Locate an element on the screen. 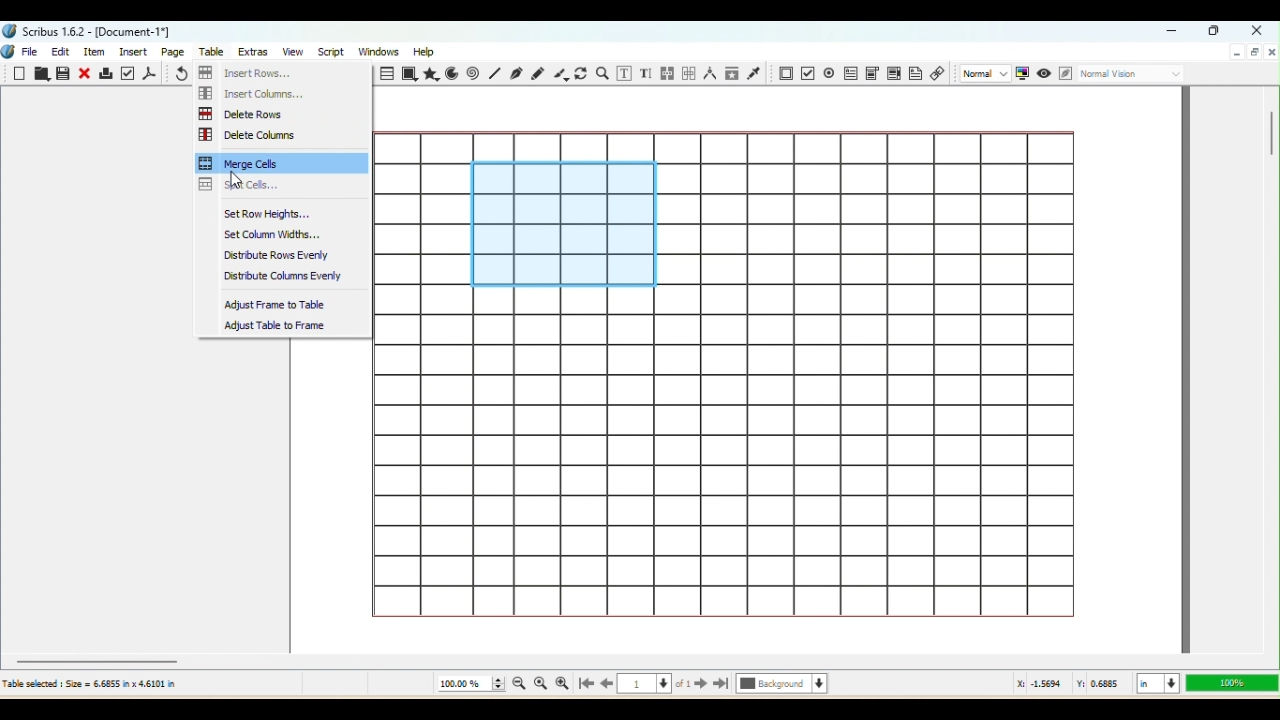  PDF combo box is located at coordinates (871, 71).